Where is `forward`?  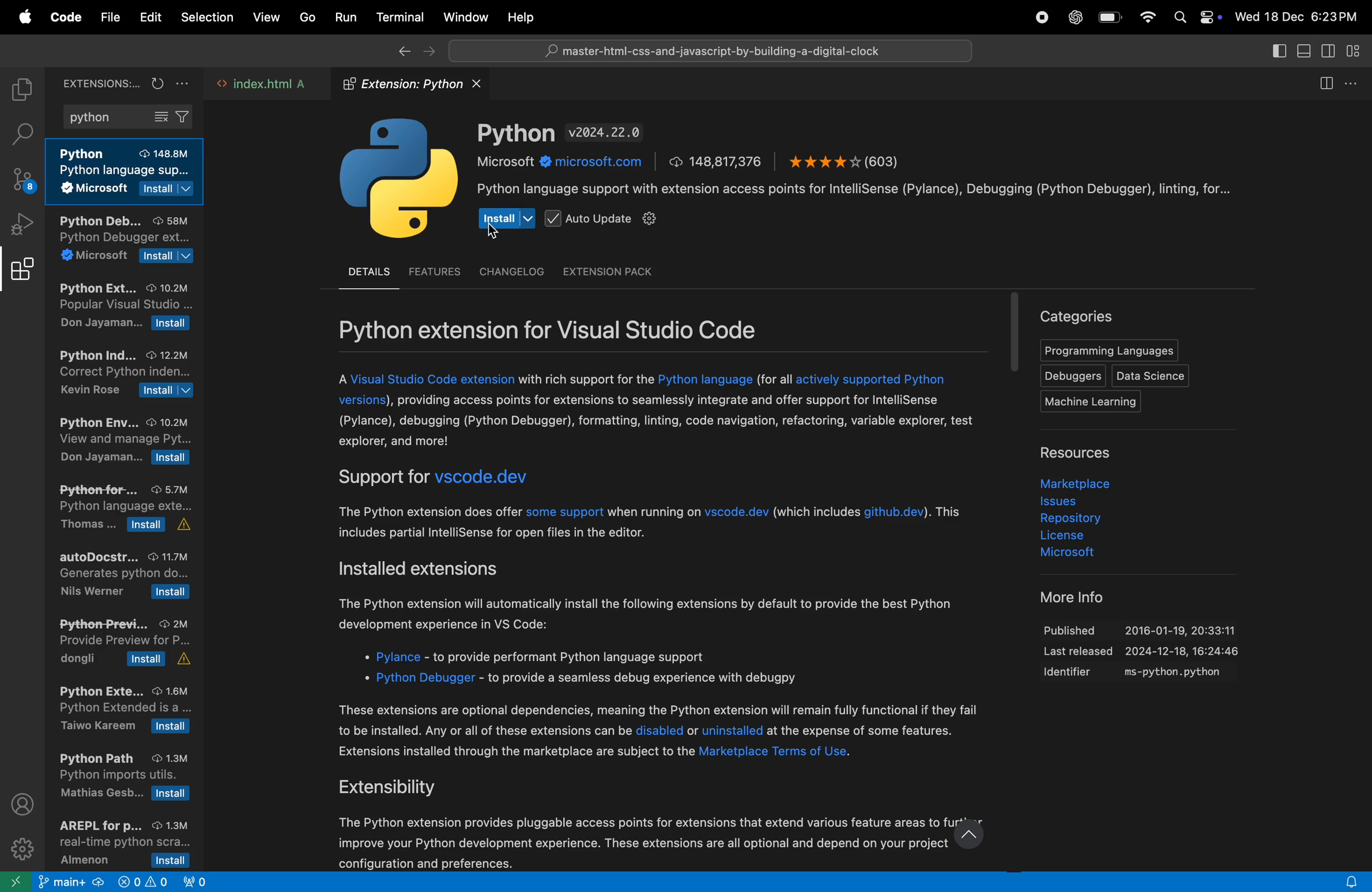
forward is located at coordinates (428, 52).